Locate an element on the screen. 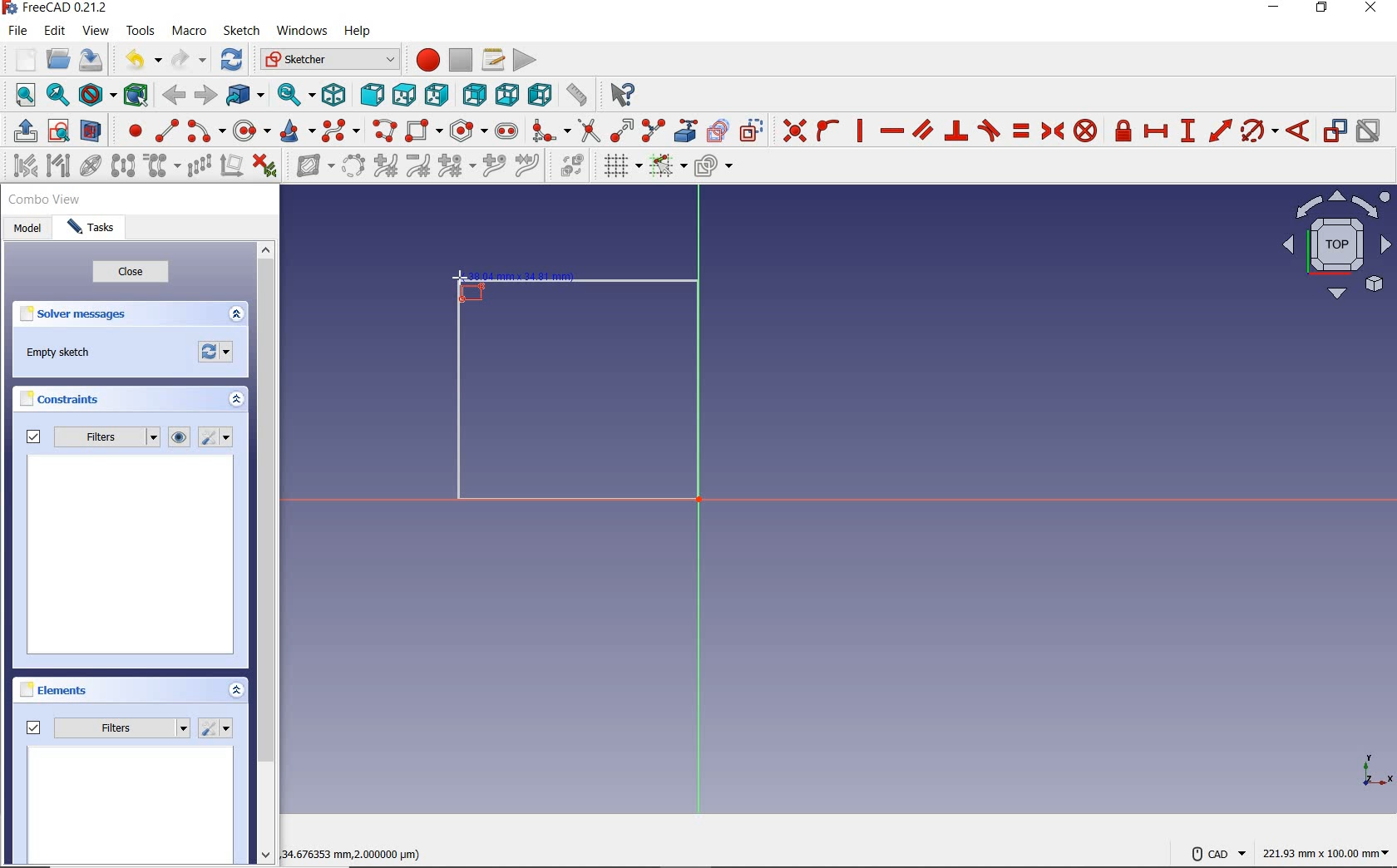  extend edge is located at coordinates (623, 131).